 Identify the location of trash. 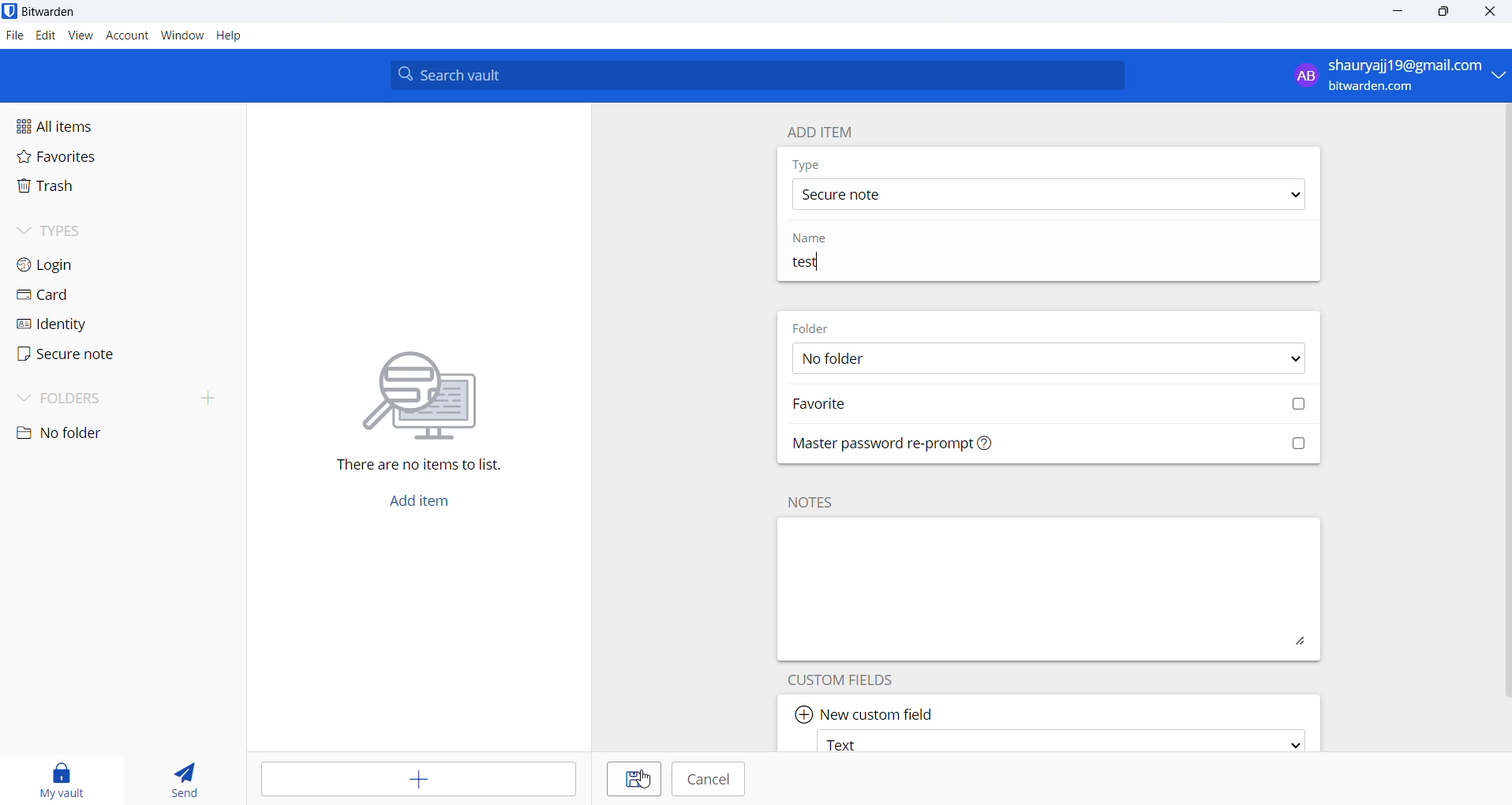
(92, 188).